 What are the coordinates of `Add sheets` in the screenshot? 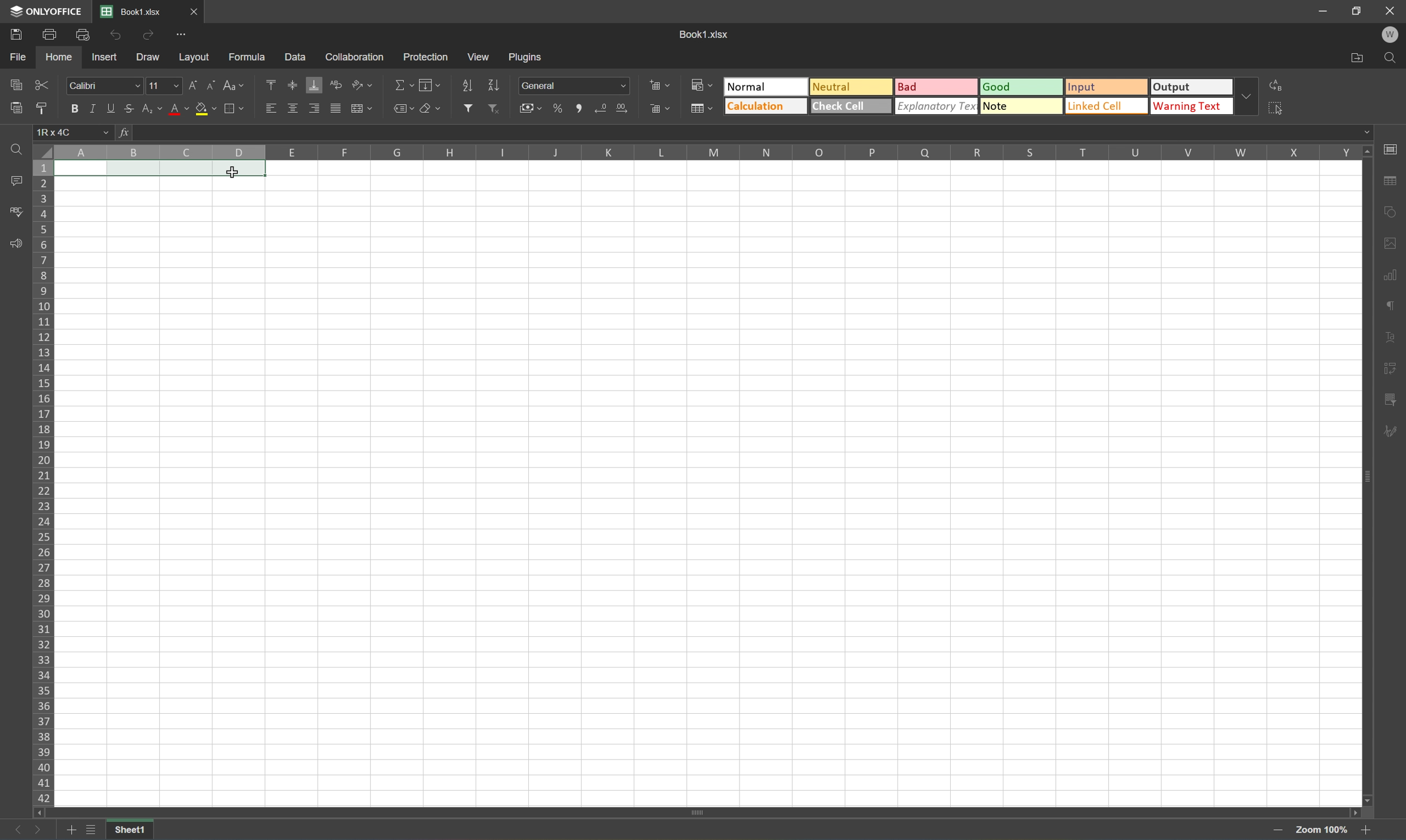 It's located at (71, 832).